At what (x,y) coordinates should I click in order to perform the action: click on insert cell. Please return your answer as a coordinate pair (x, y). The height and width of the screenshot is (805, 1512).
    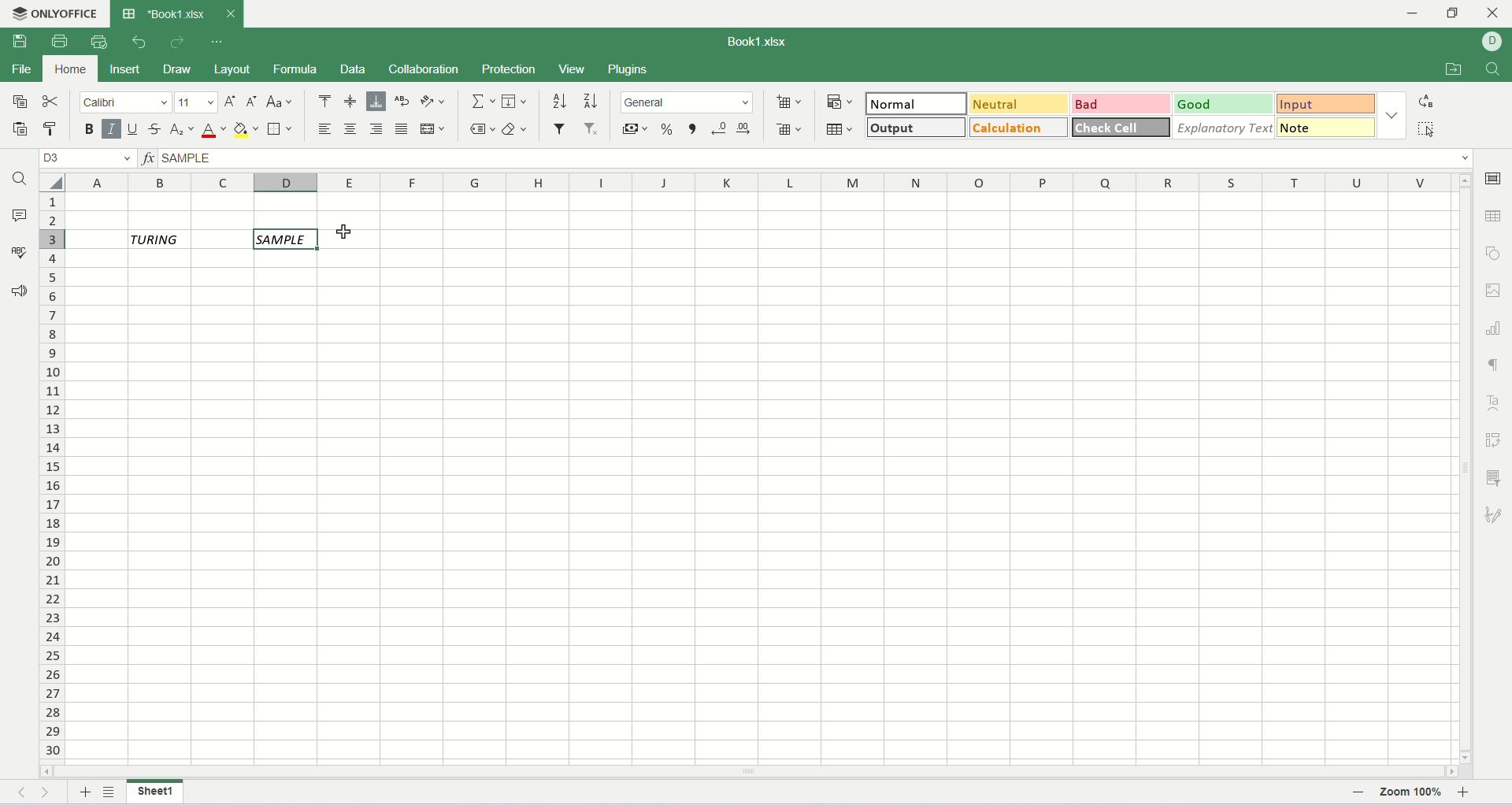
    Looking at the image, I should click on (787, 102).